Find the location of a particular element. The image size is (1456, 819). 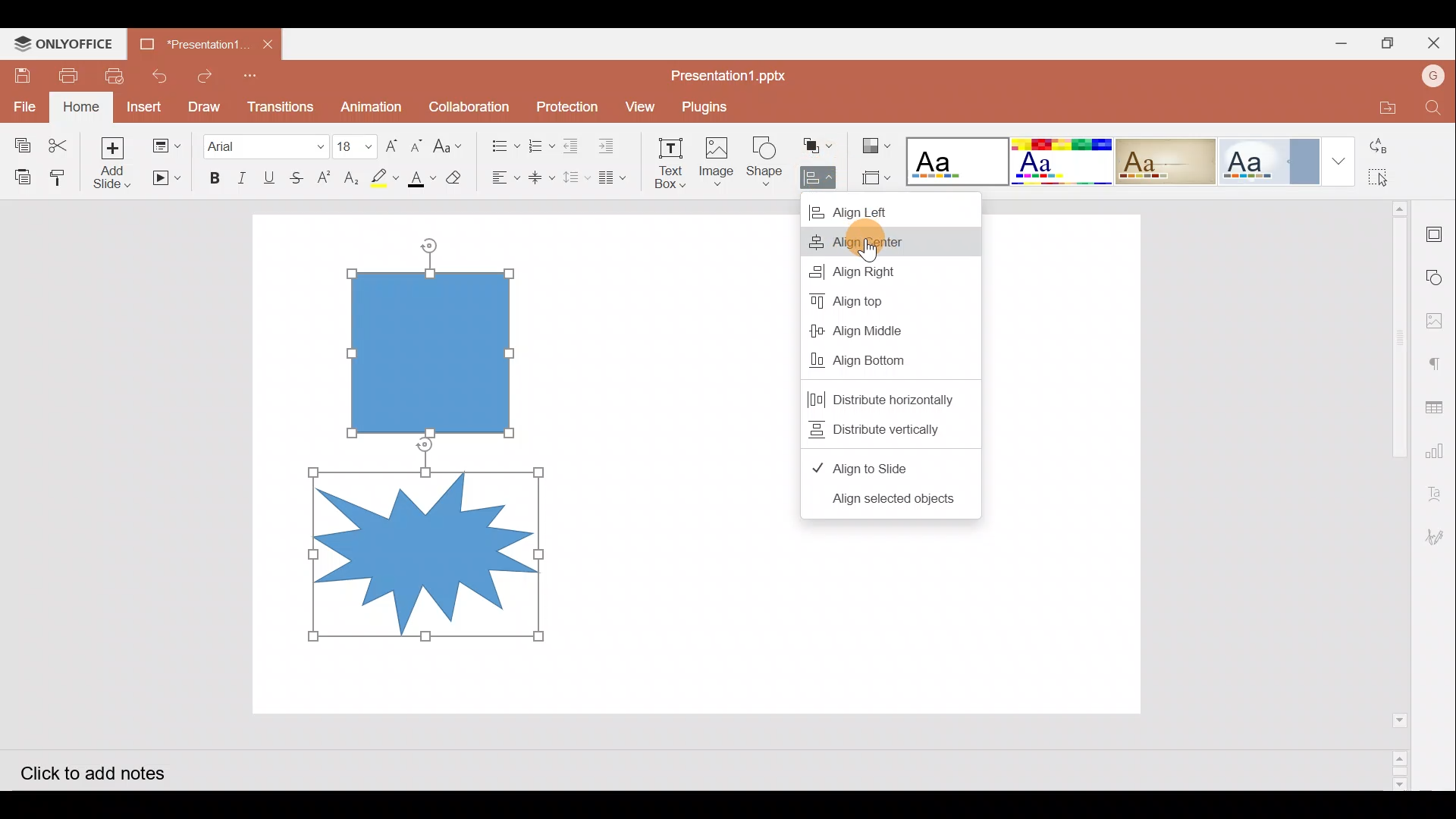

Click to add notes is located at coordinates (105, 772).